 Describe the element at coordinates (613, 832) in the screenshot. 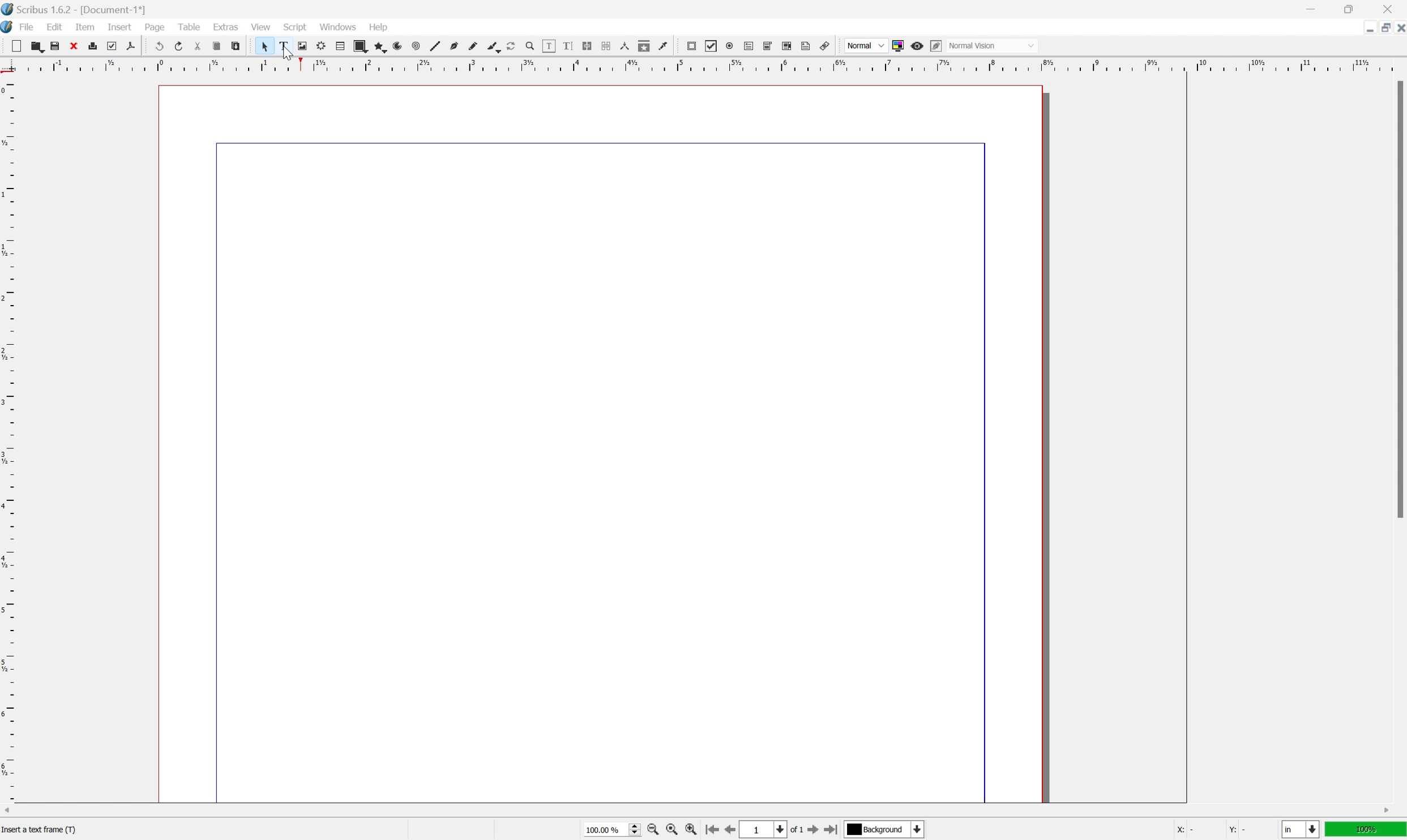

I see `select current zoom level` at that location.